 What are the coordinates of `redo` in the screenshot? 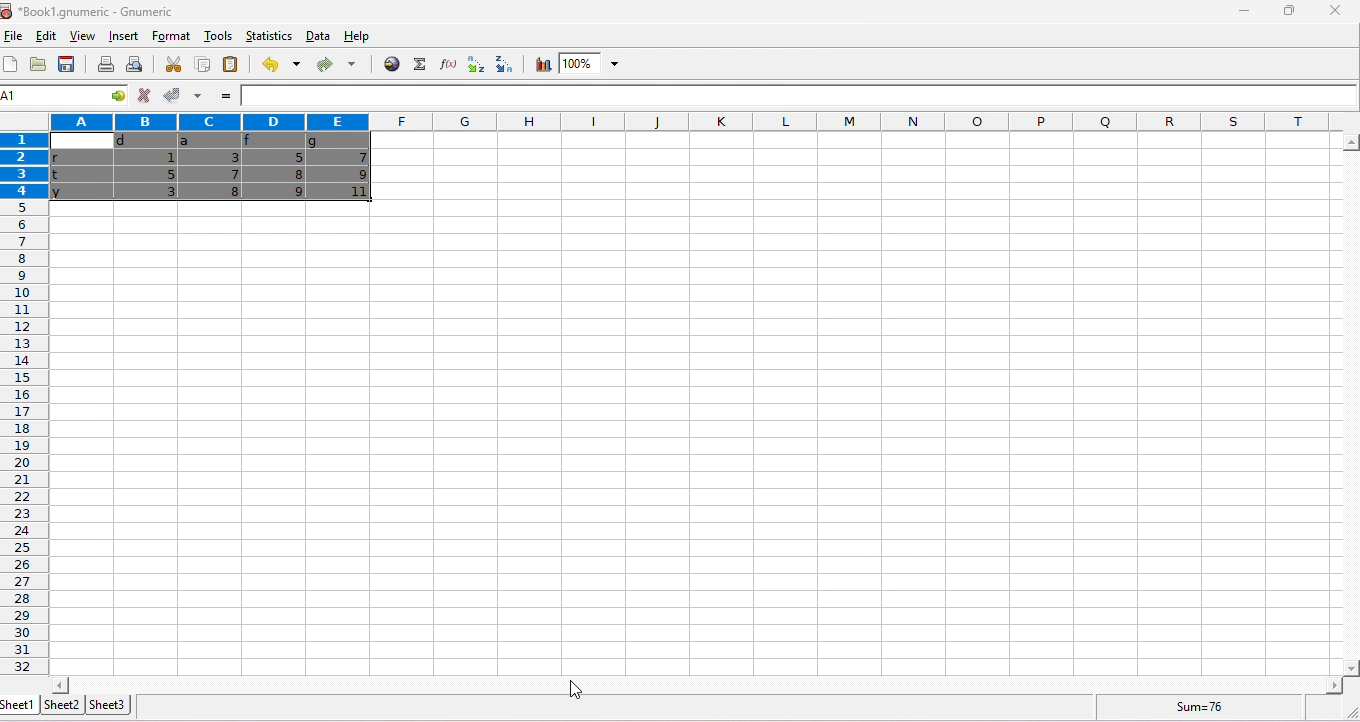 It's located at (335, 66).